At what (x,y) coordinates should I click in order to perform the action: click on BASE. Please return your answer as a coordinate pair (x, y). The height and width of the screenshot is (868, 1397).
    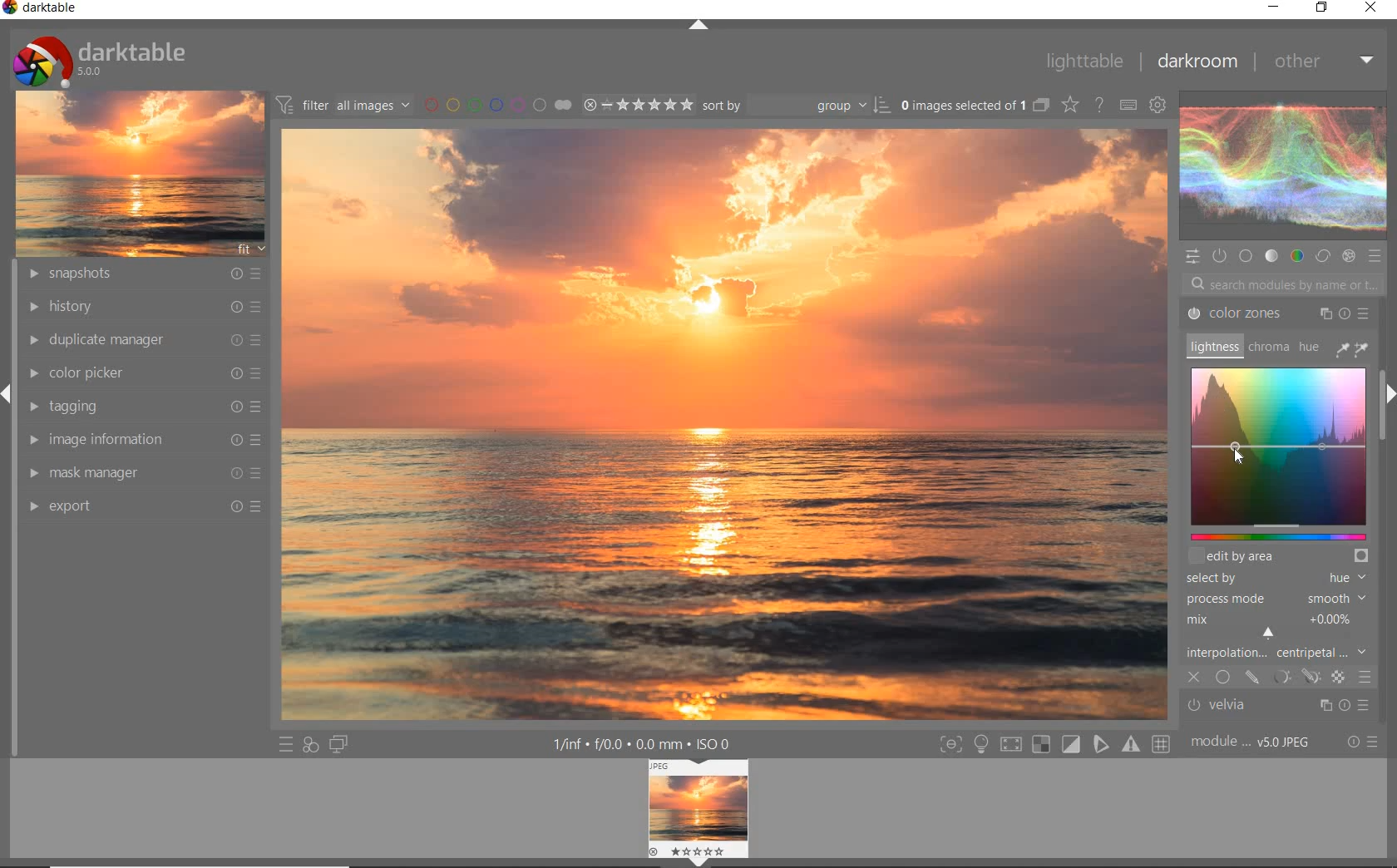
    Looking at the image, I should click on (1247, 256).